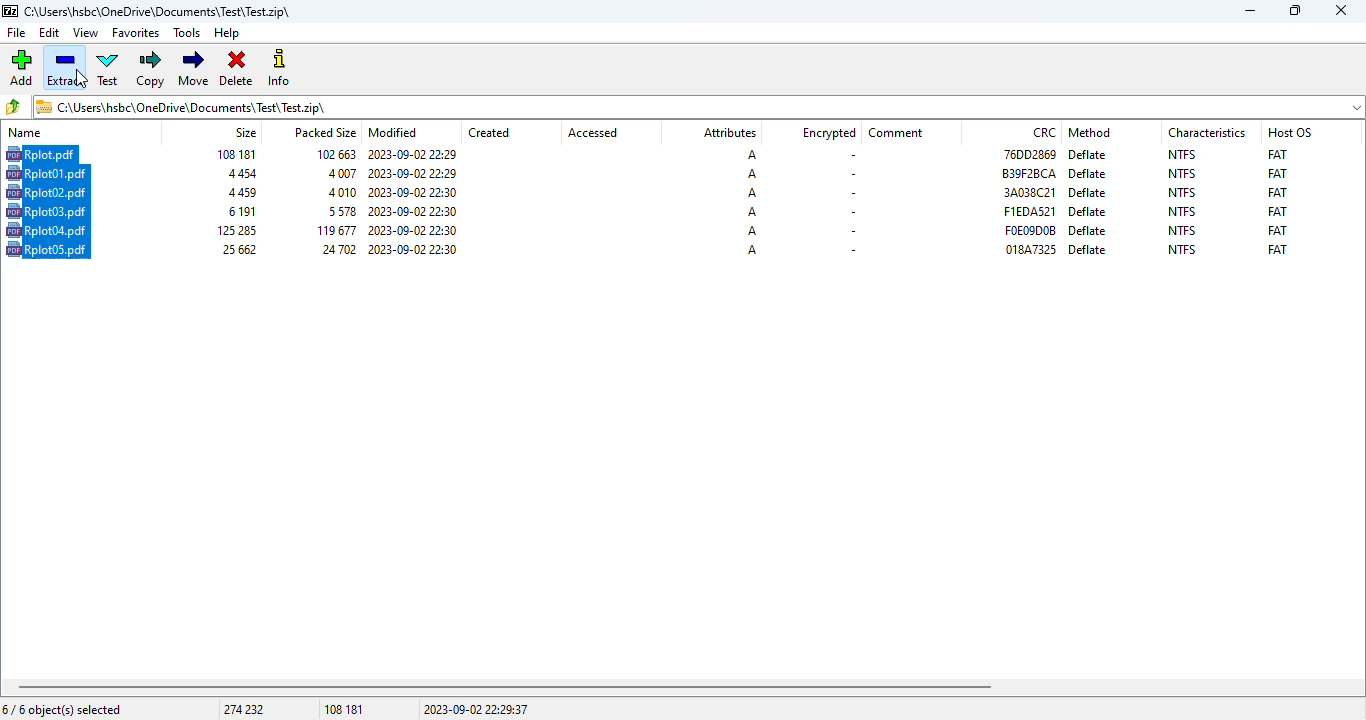 The image size is (1366, 720). Describe the element at coordinates (1029, 192) in the screenshot. I see `CRC` at that location.